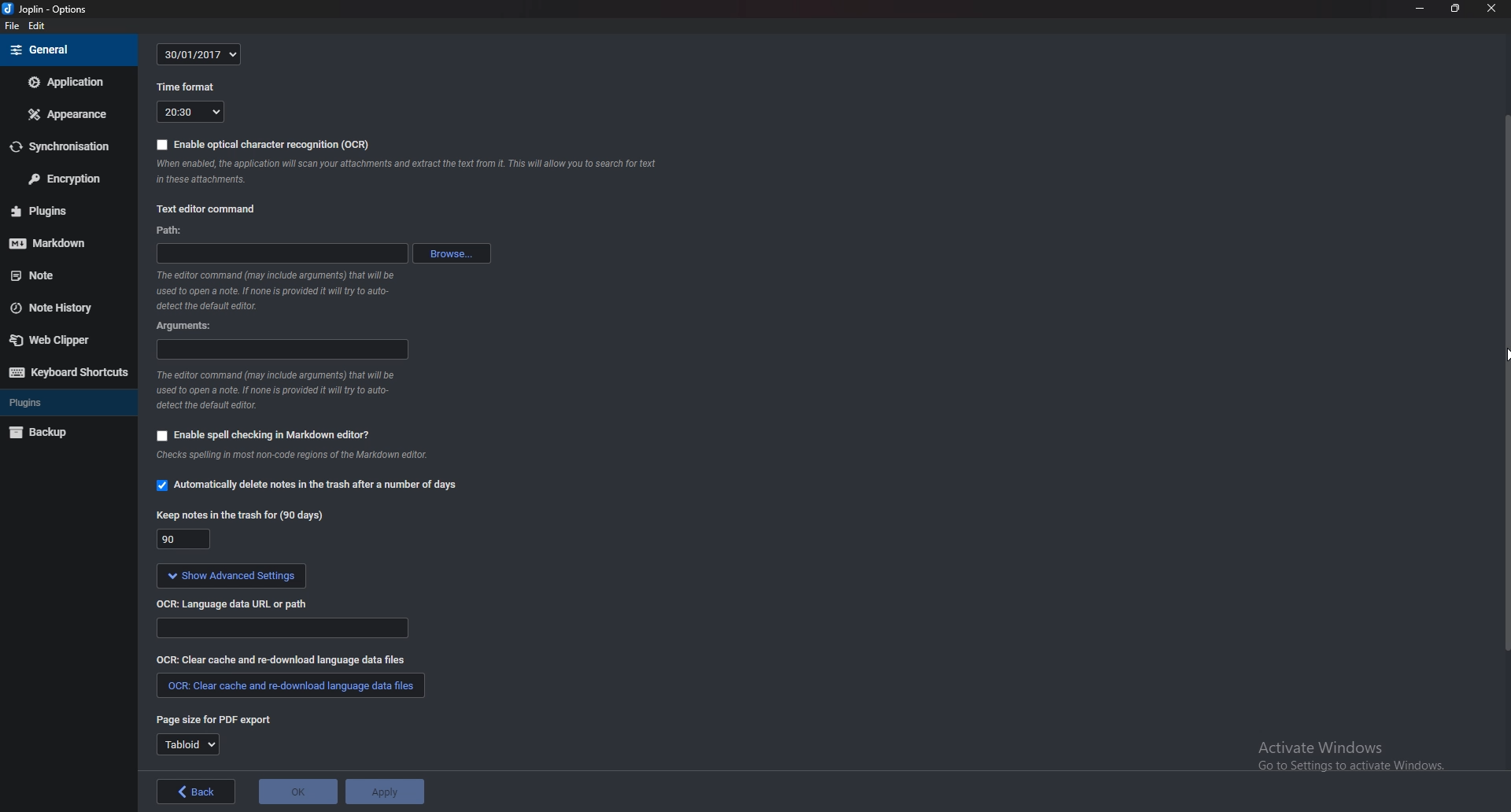 This screenshot has width=1511, height=812. I want to click on keep note for 90 days, so click(242, 514).